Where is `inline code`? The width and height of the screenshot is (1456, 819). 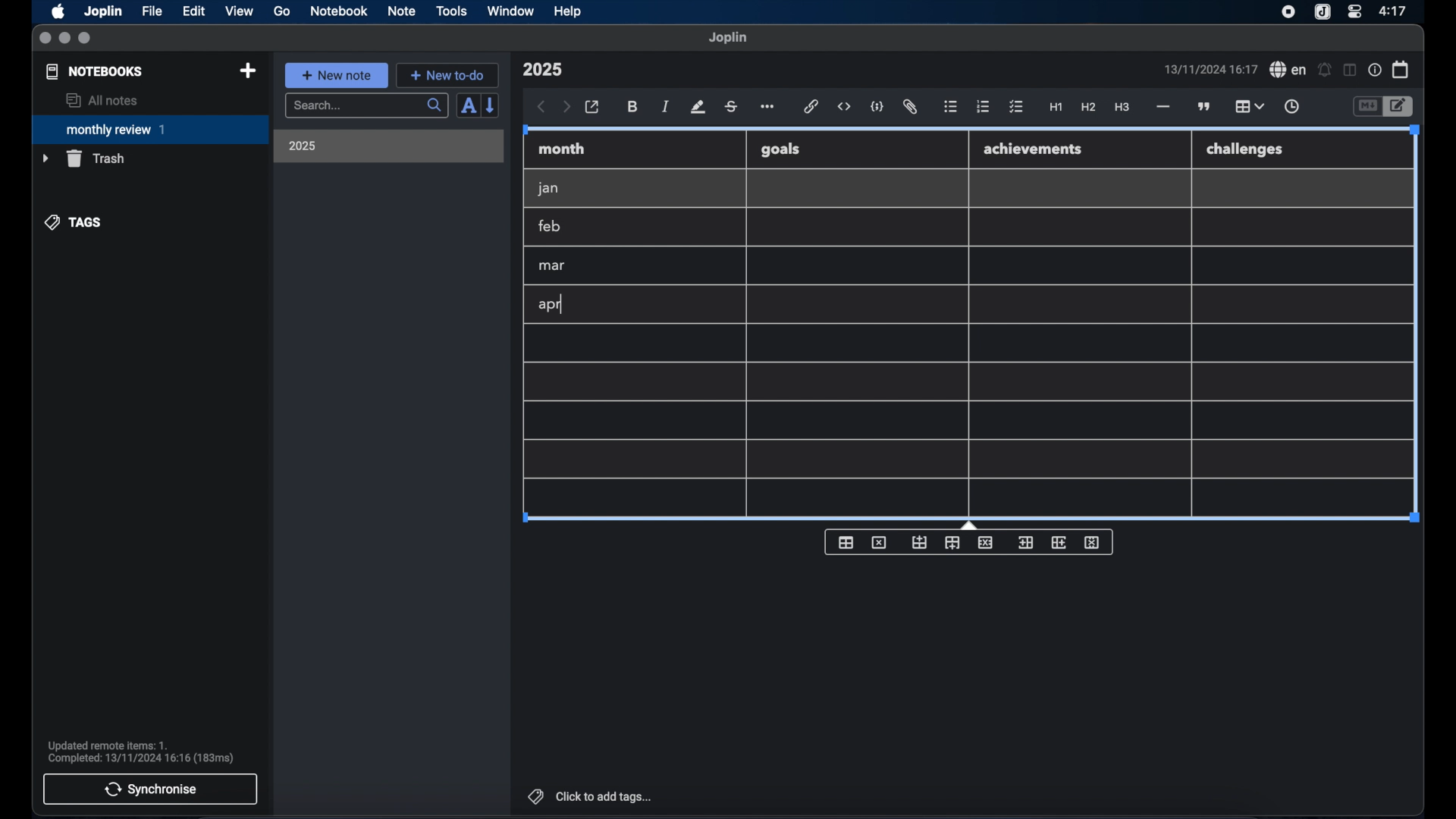
inline code is located at coordinates (844, 107).